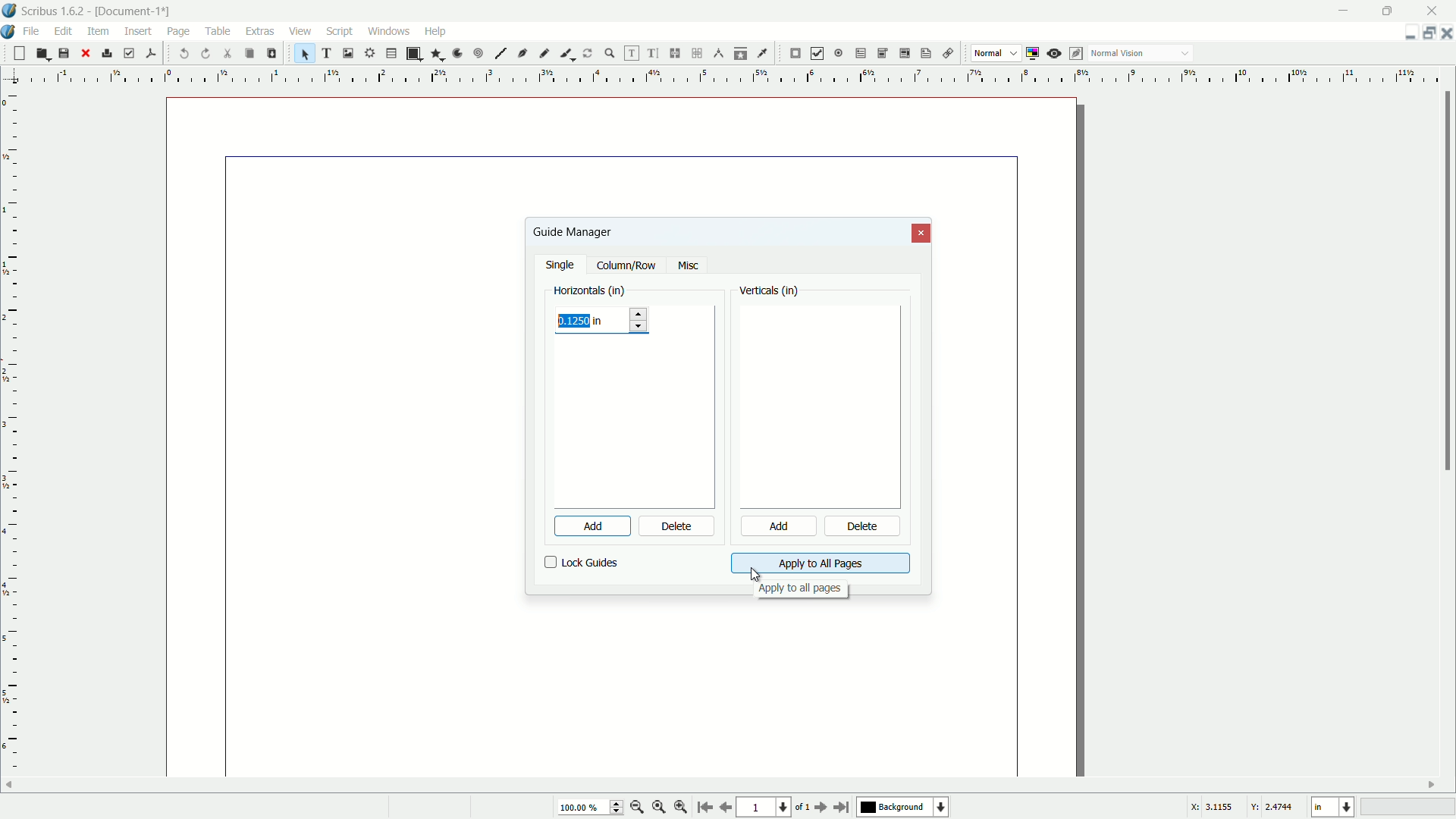 The image size is (1456, 819). I want to click on text annotation, so click(924, 54).